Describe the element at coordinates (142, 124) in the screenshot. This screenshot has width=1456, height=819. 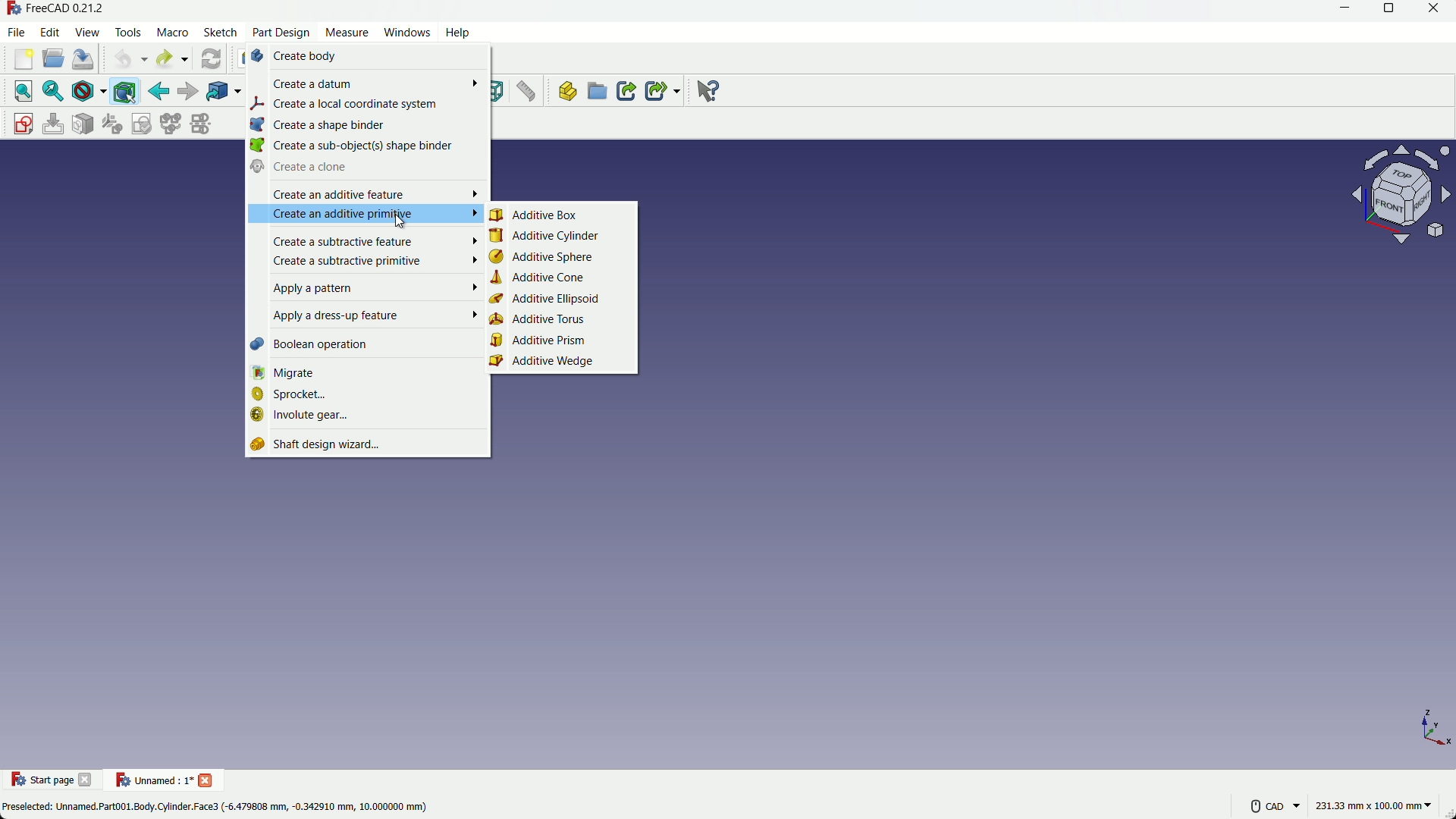
I see `validate sketch` at that location.